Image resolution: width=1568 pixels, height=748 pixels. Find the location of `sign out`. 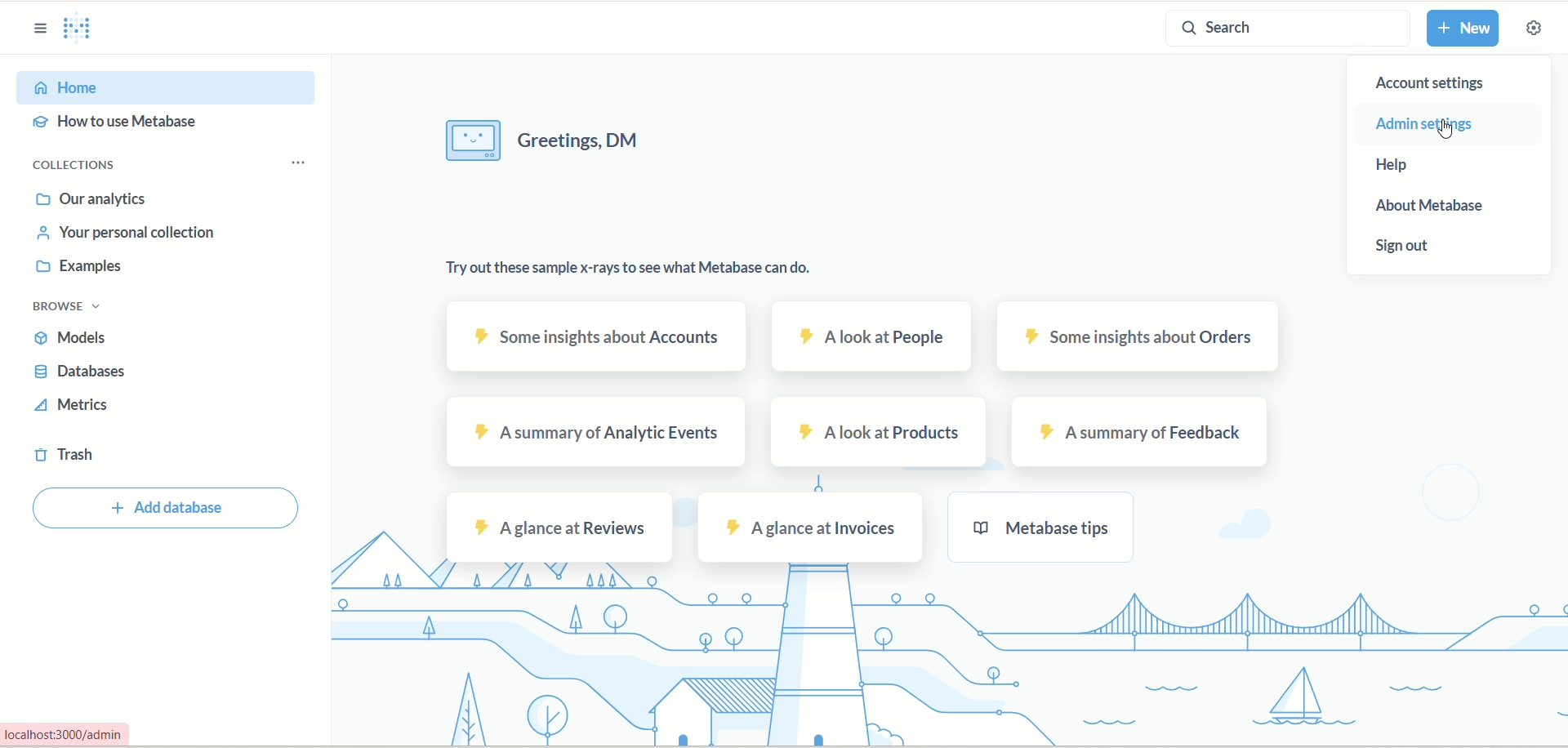

sign out is located at coordinates (1407, 249).